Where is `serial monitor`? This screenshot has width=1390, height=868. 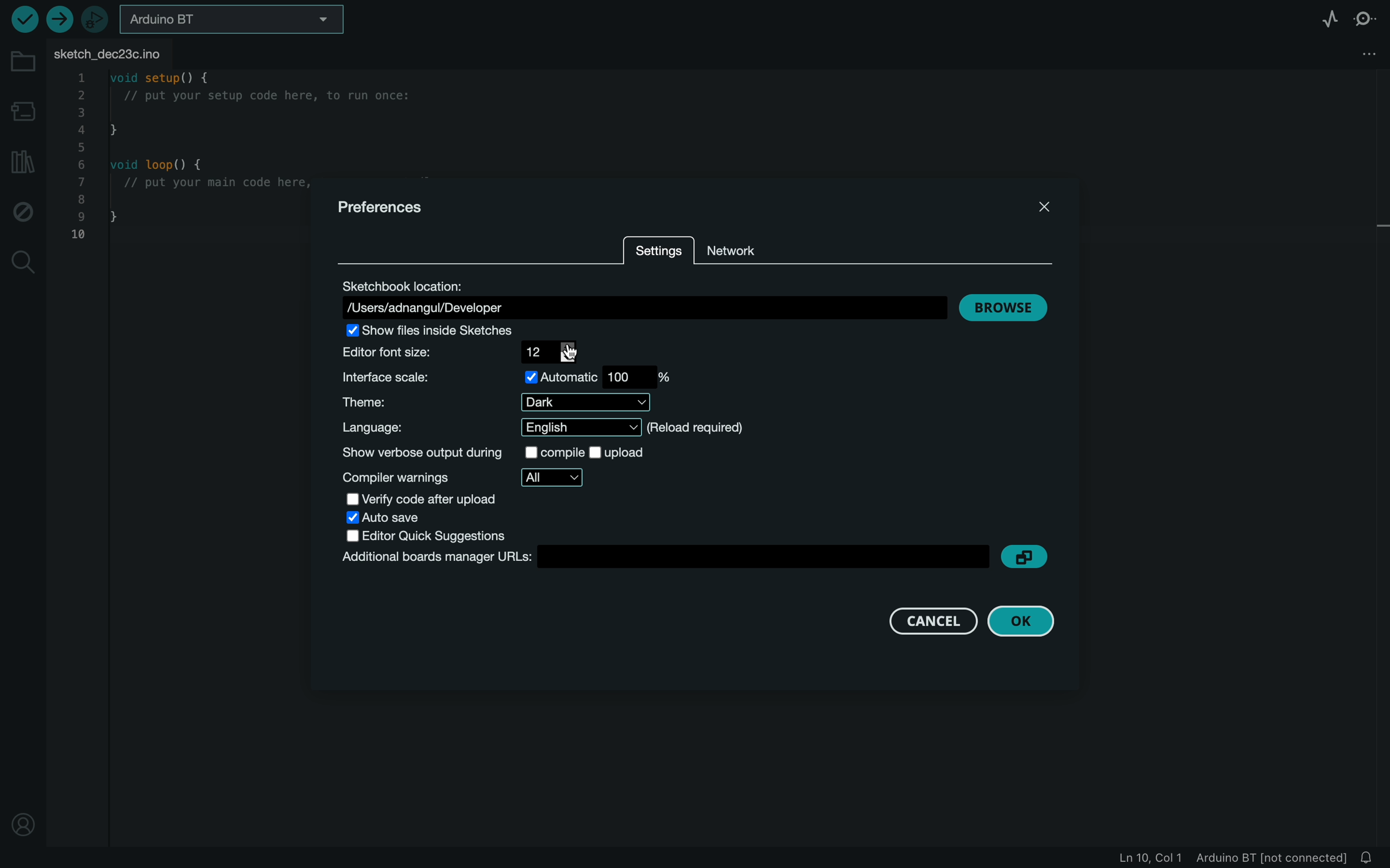 serial monitor is located at coordinates (1363, 17).